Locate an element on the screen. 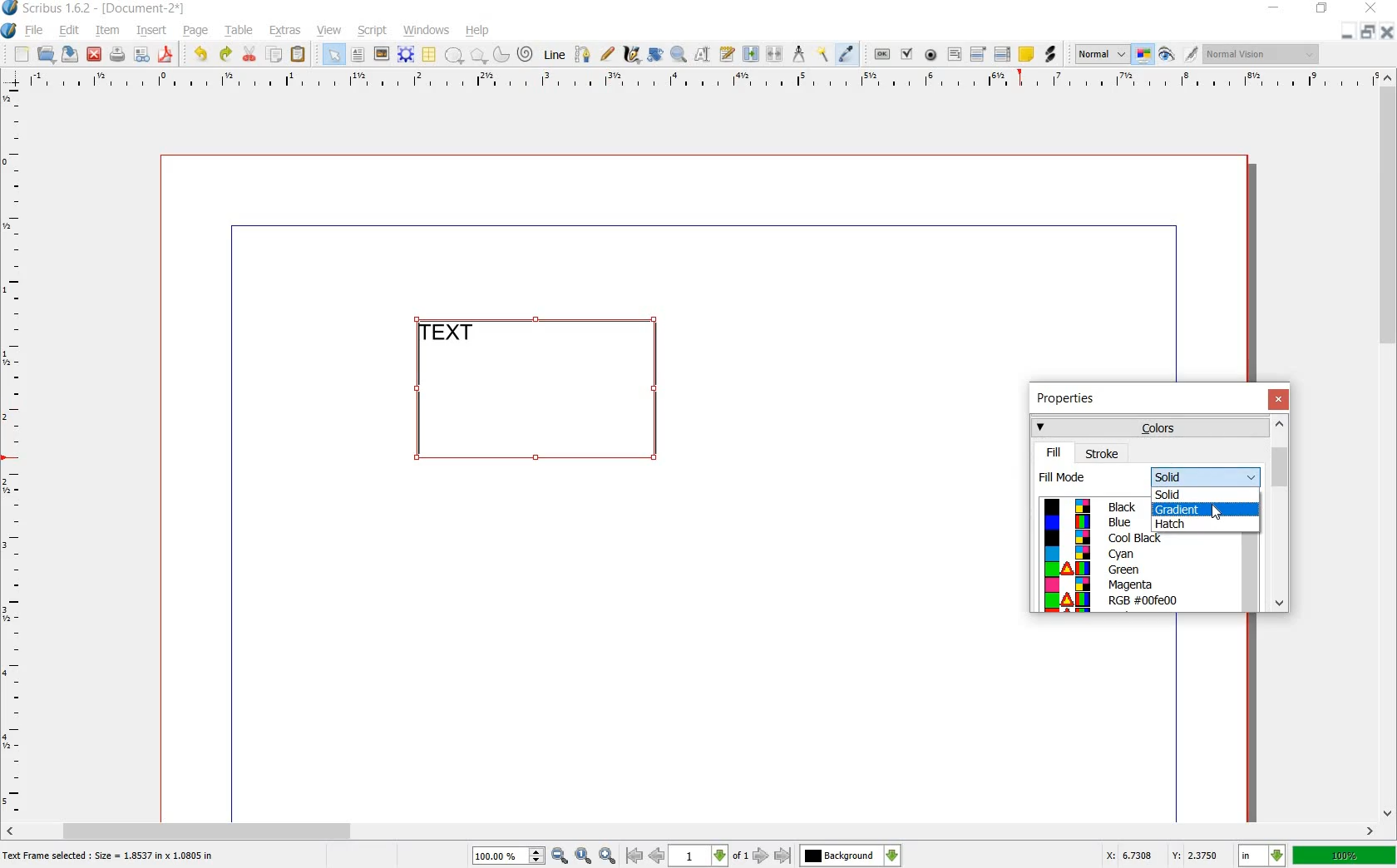 Image resolution: width=1397 pixels, height=868 pixels. edit in preview mode is located at coordinates (1192, 55).